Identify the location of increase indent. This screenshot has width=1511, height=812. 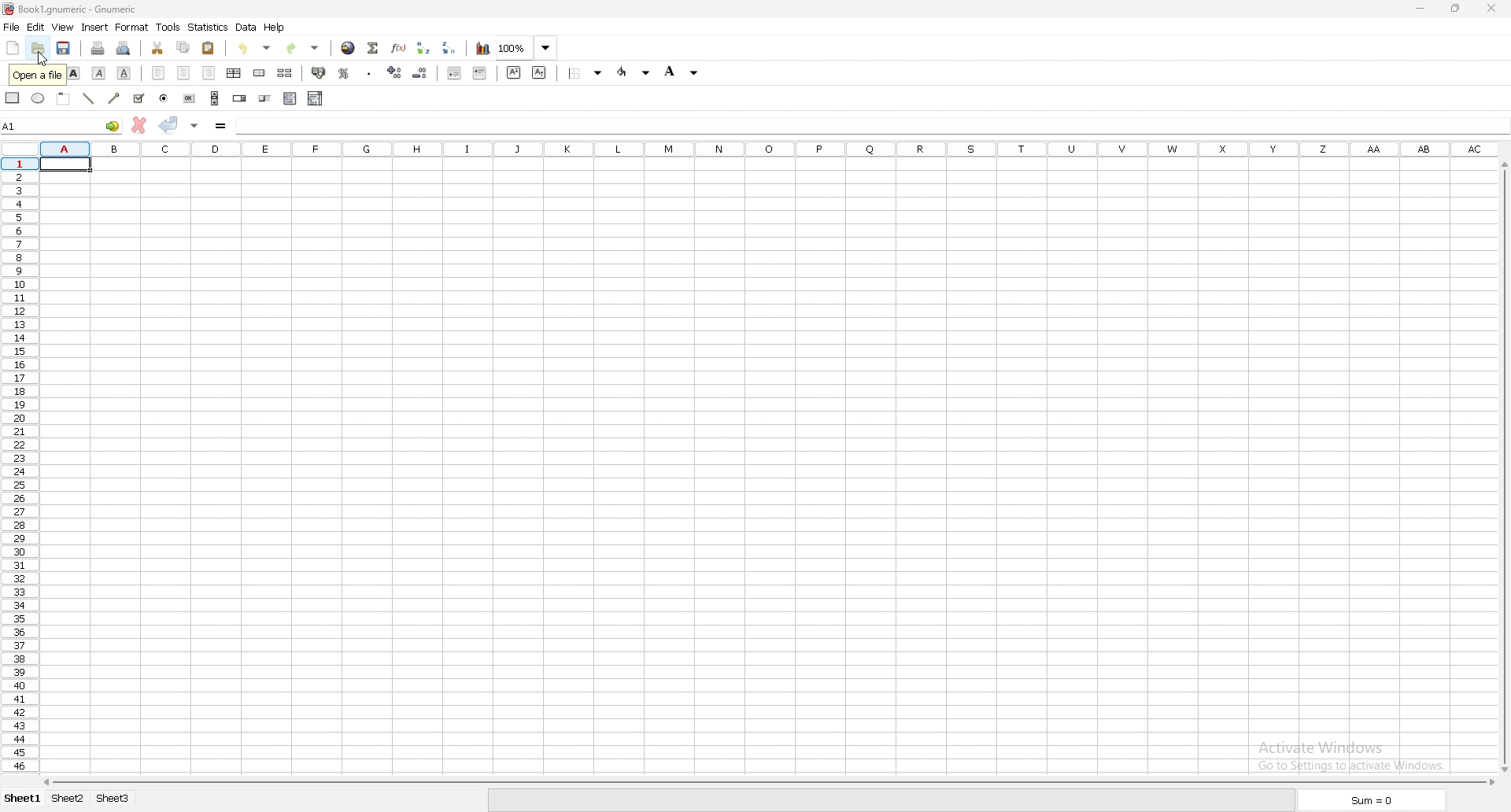
(480, 73).